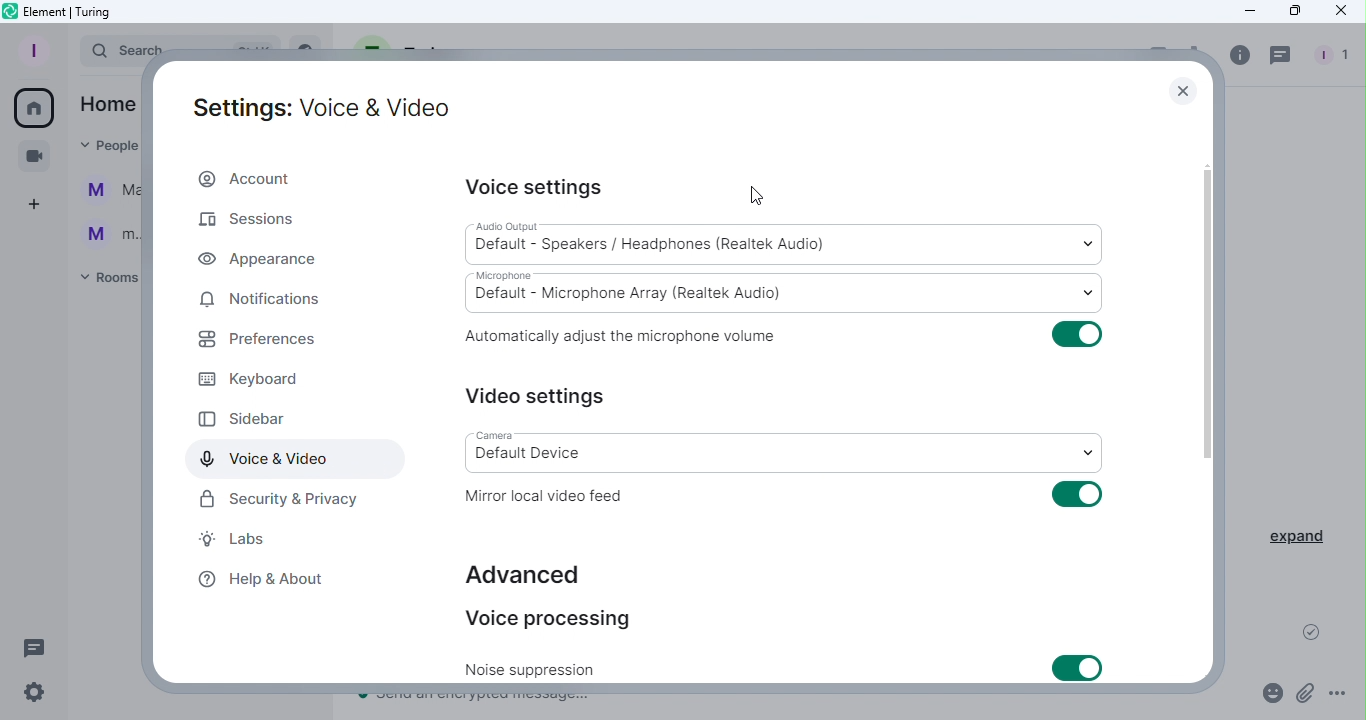 The image size is (1366, 720). Describe the element at coordinates (572, 617) in the screenshot. I see `Voice processing` at that location.